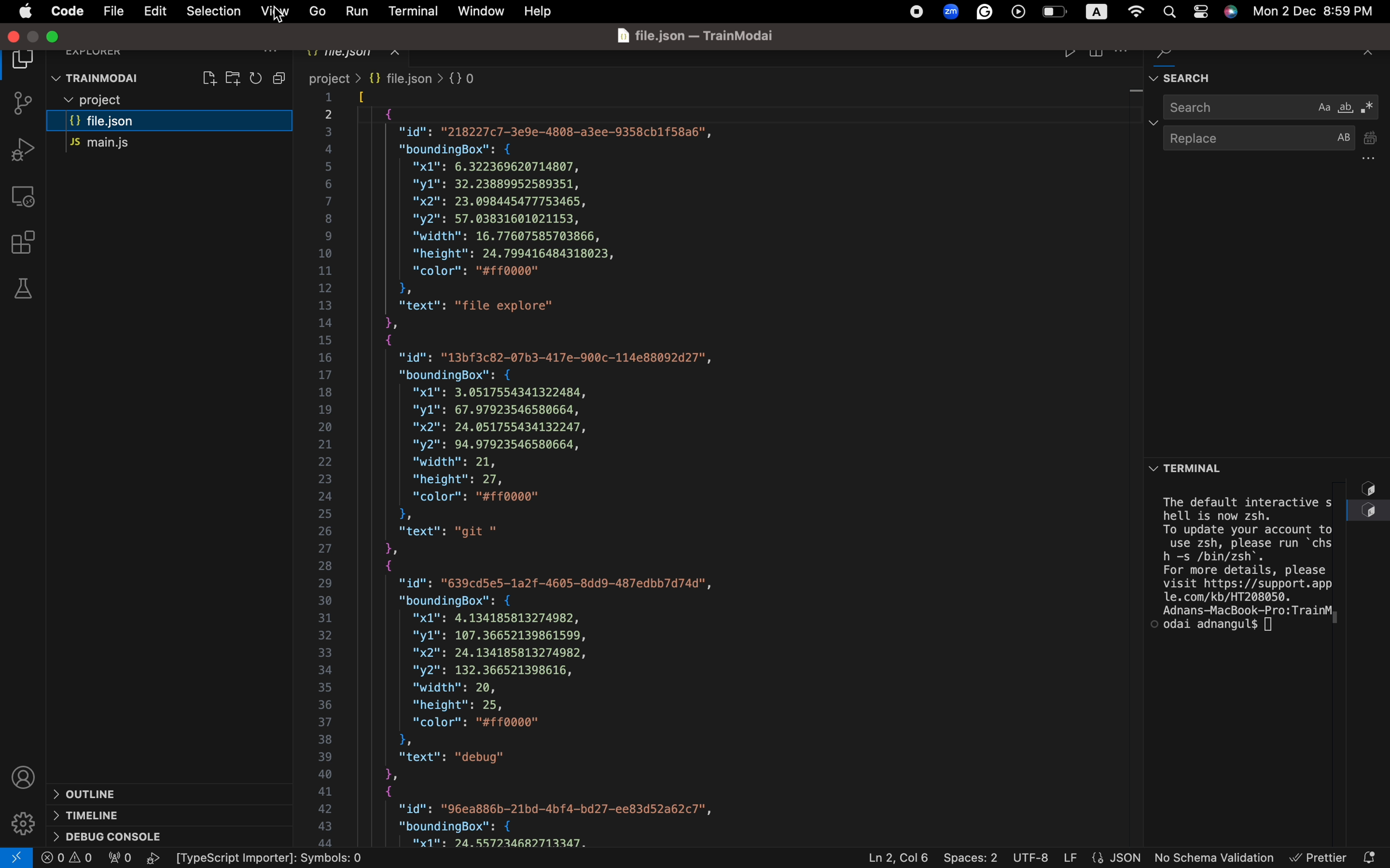 This screenshot has width=1390, height=868. Describe the element at coordinates (698, 36) in the screenshot. I see `file name` at that location.